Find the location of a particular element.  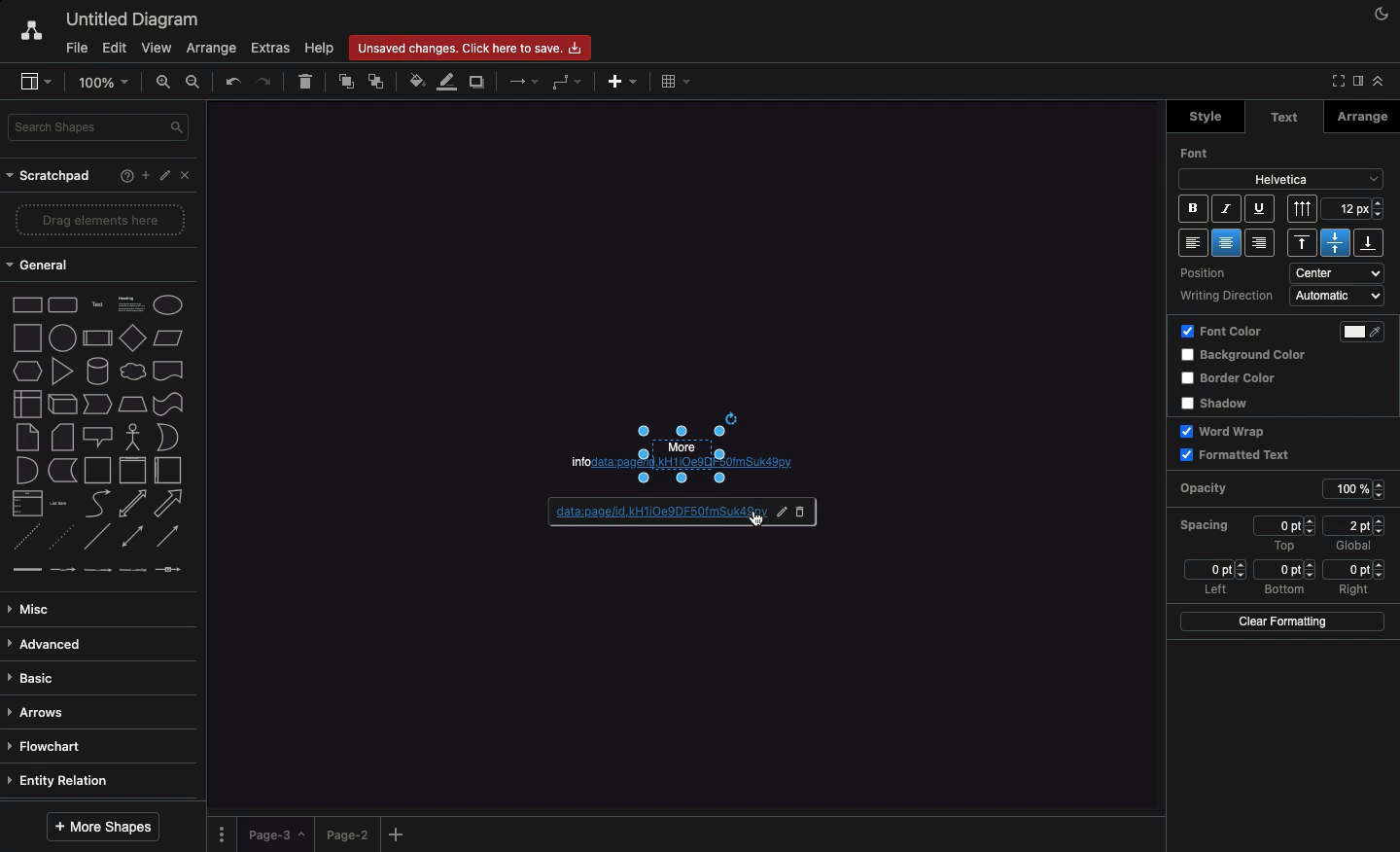

note is located at coordinates (27, 438).